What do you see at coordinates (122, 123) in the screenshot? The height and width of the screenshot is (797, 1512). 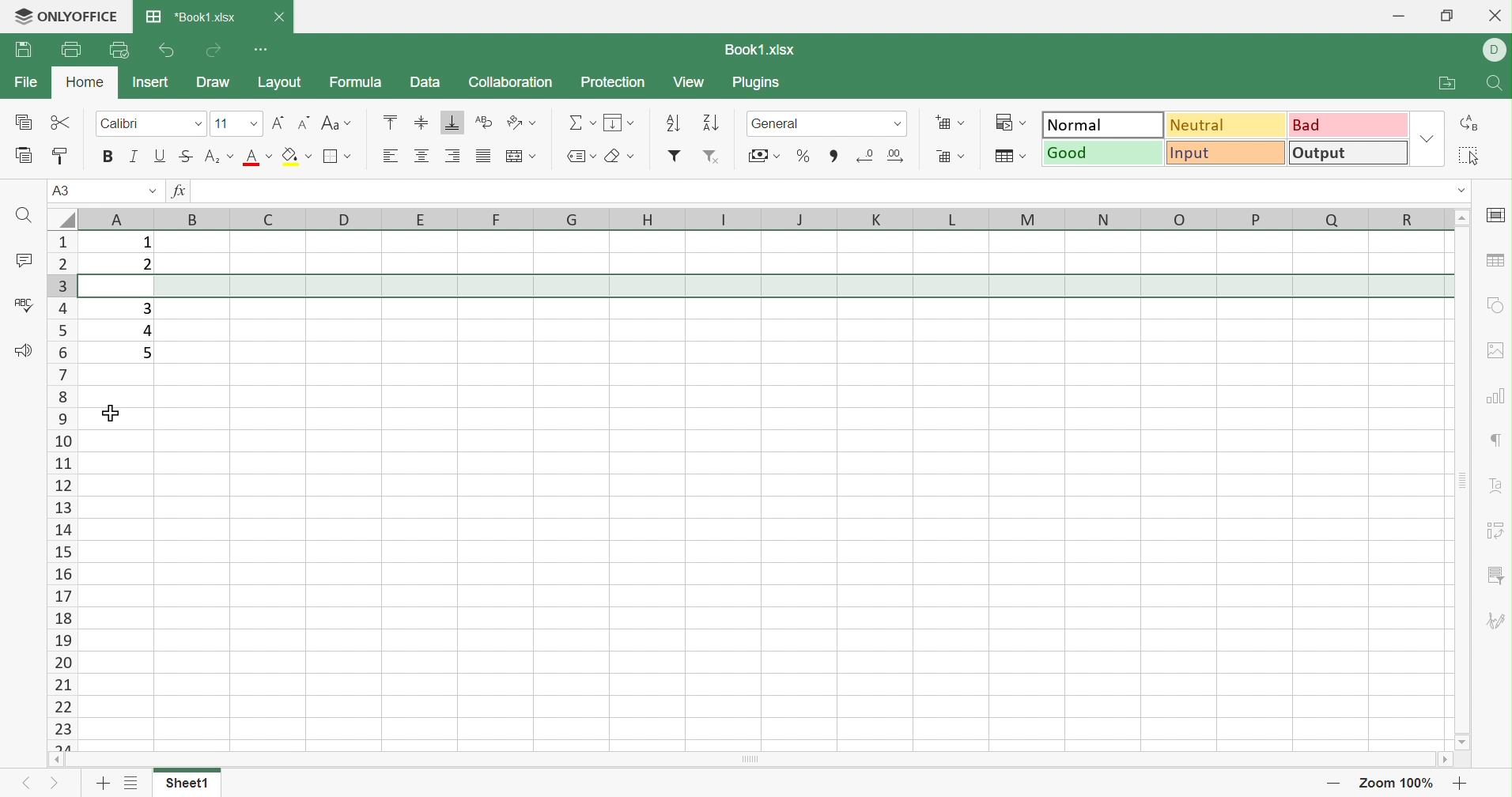 I see `Calibri` at bounding box center [122, 123].